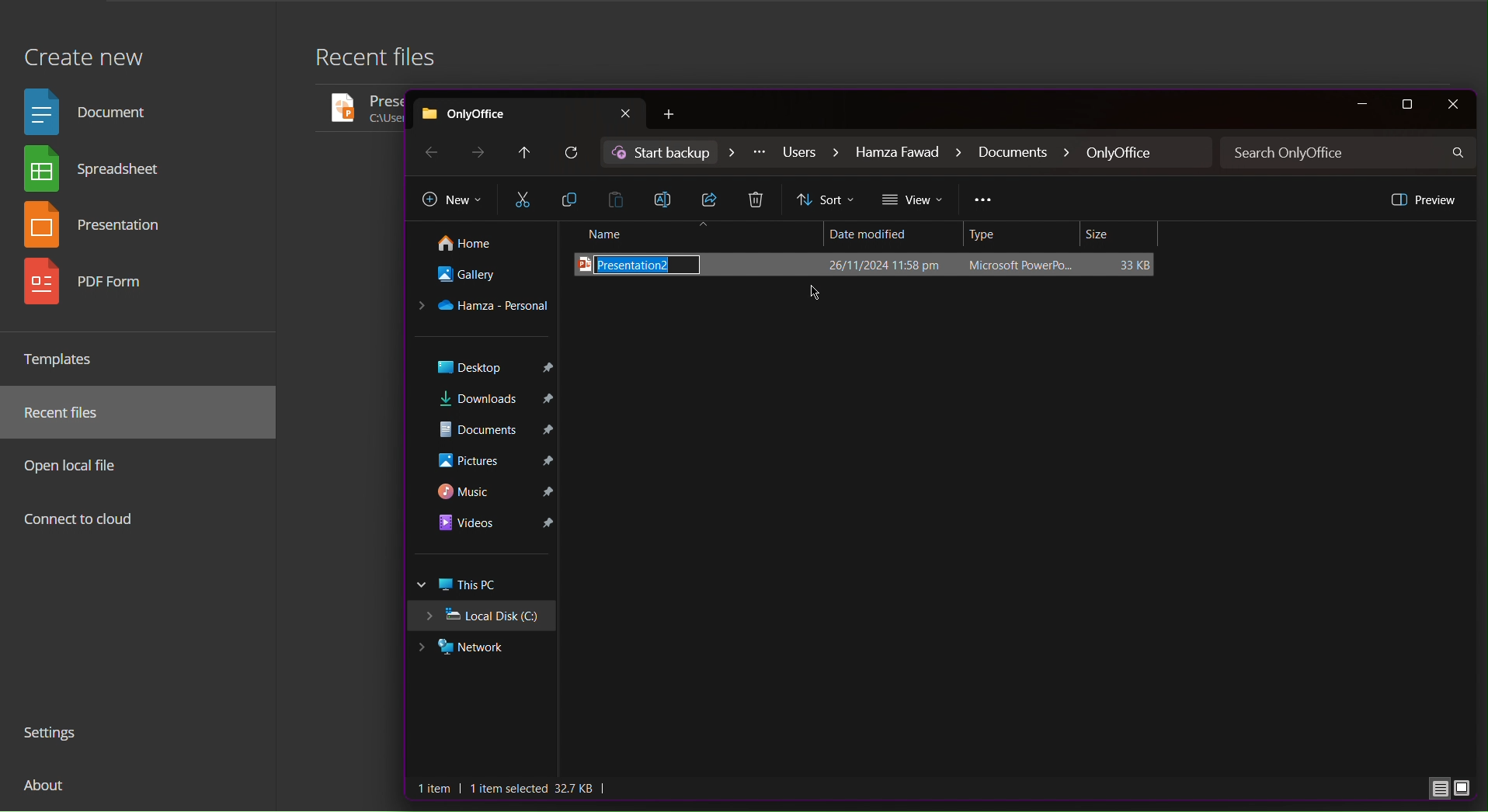 The image size is (1488, 812). I want to click on New, so click(452, 201).